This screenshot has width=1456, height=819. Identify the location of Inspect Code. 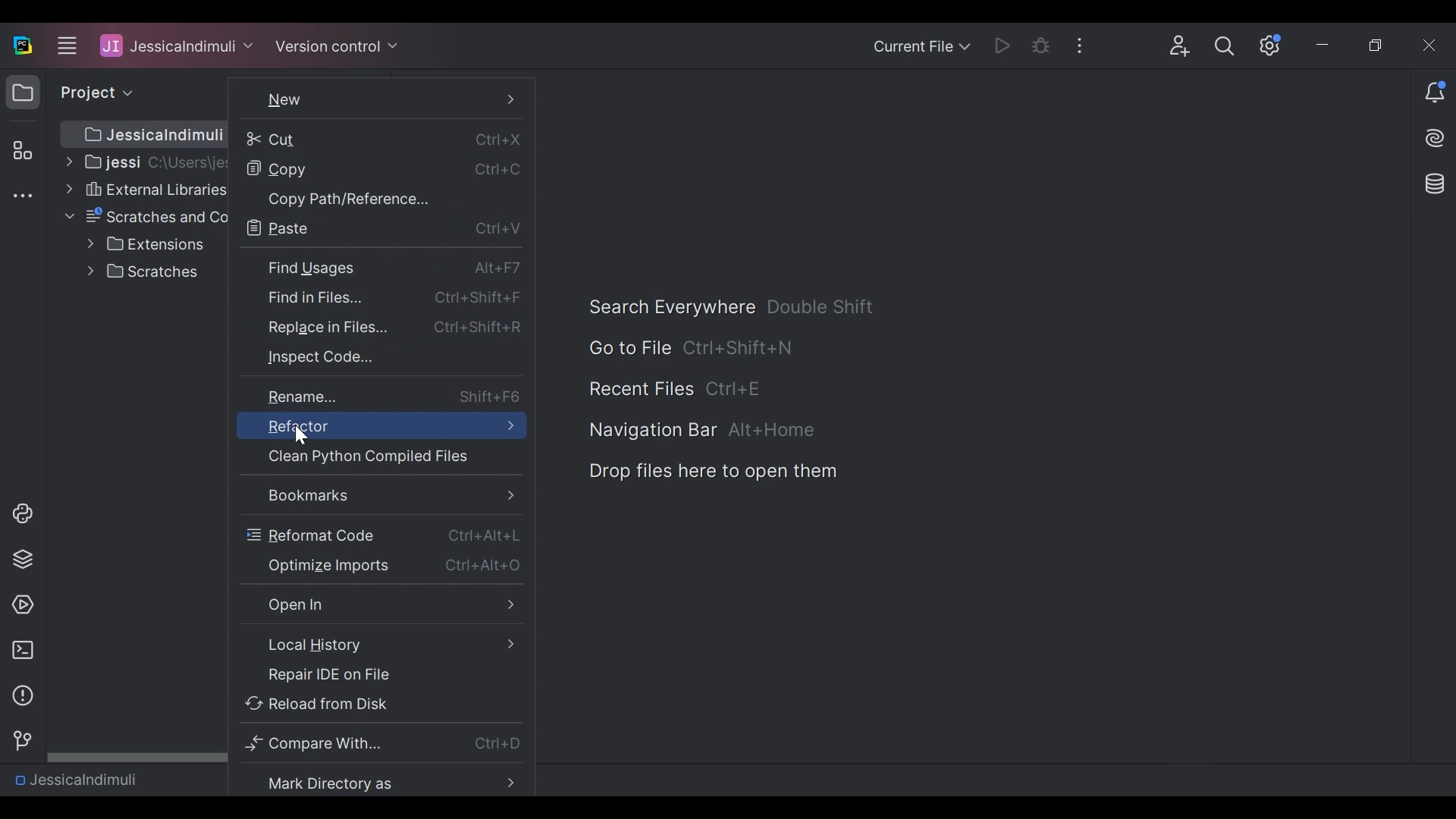
(366, 357).